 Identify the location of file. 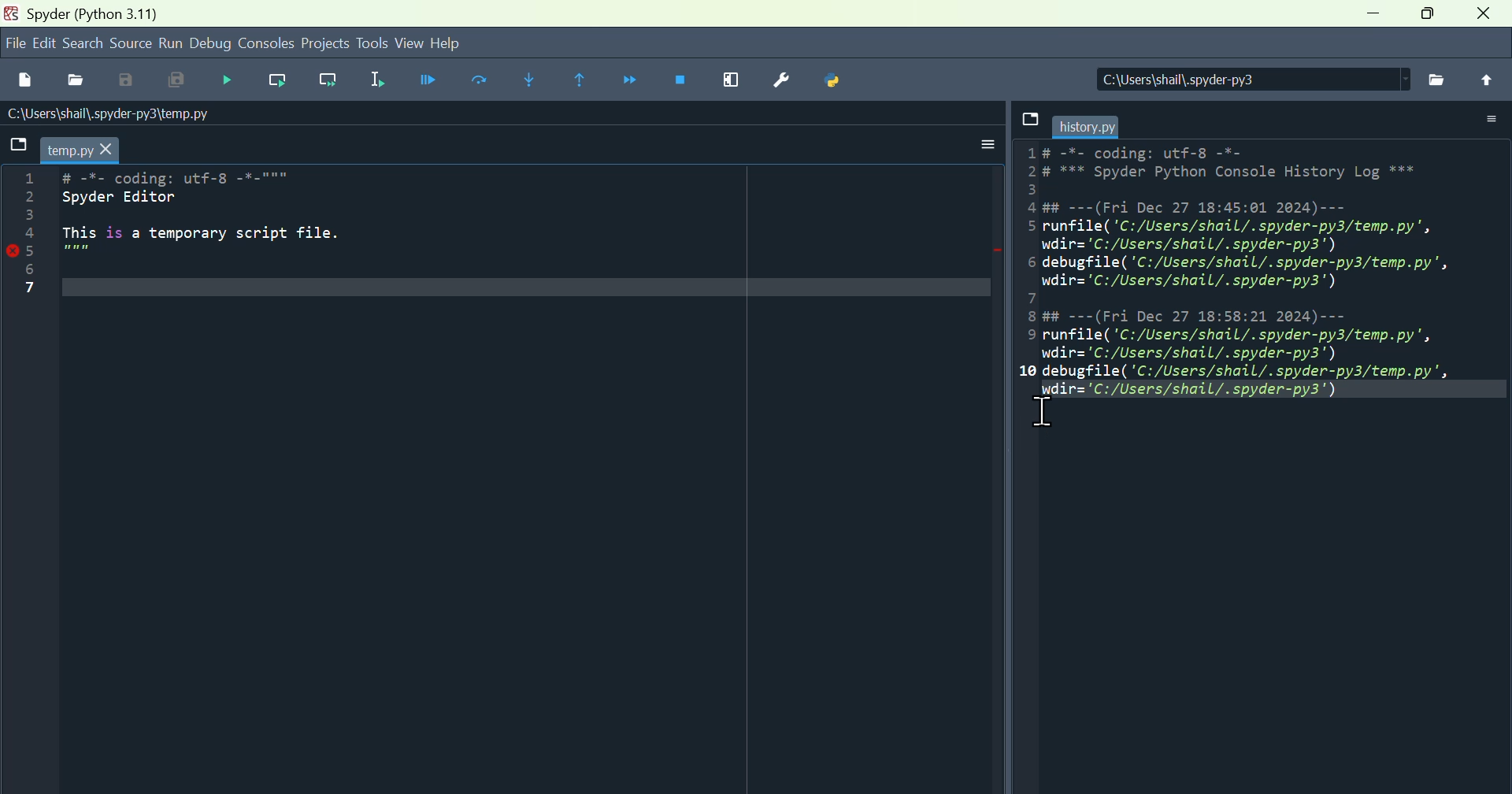
(15, 45).